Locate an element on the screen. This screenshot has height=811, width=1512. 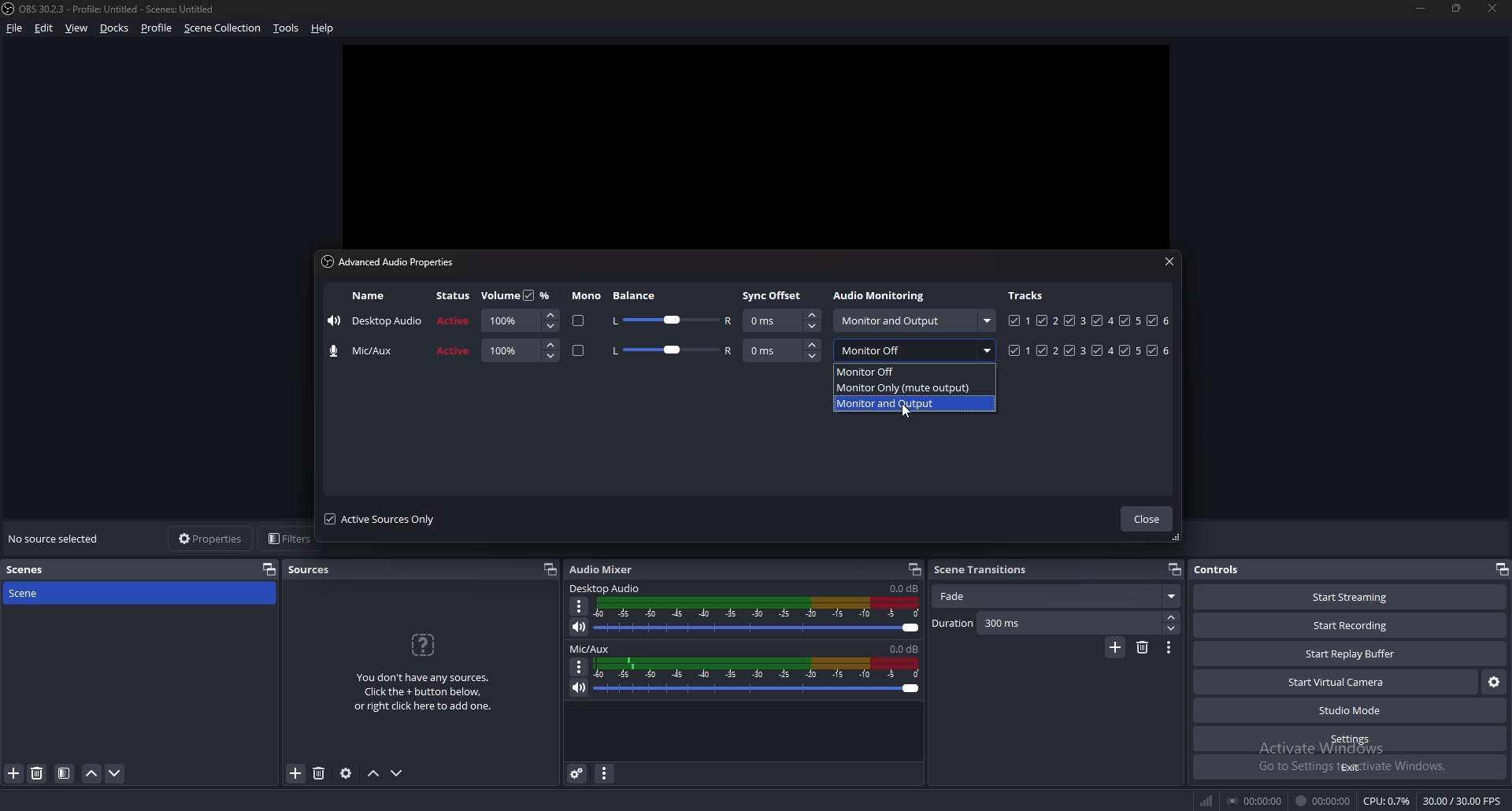
audio mixer properties is located at coordinates (606, 774).